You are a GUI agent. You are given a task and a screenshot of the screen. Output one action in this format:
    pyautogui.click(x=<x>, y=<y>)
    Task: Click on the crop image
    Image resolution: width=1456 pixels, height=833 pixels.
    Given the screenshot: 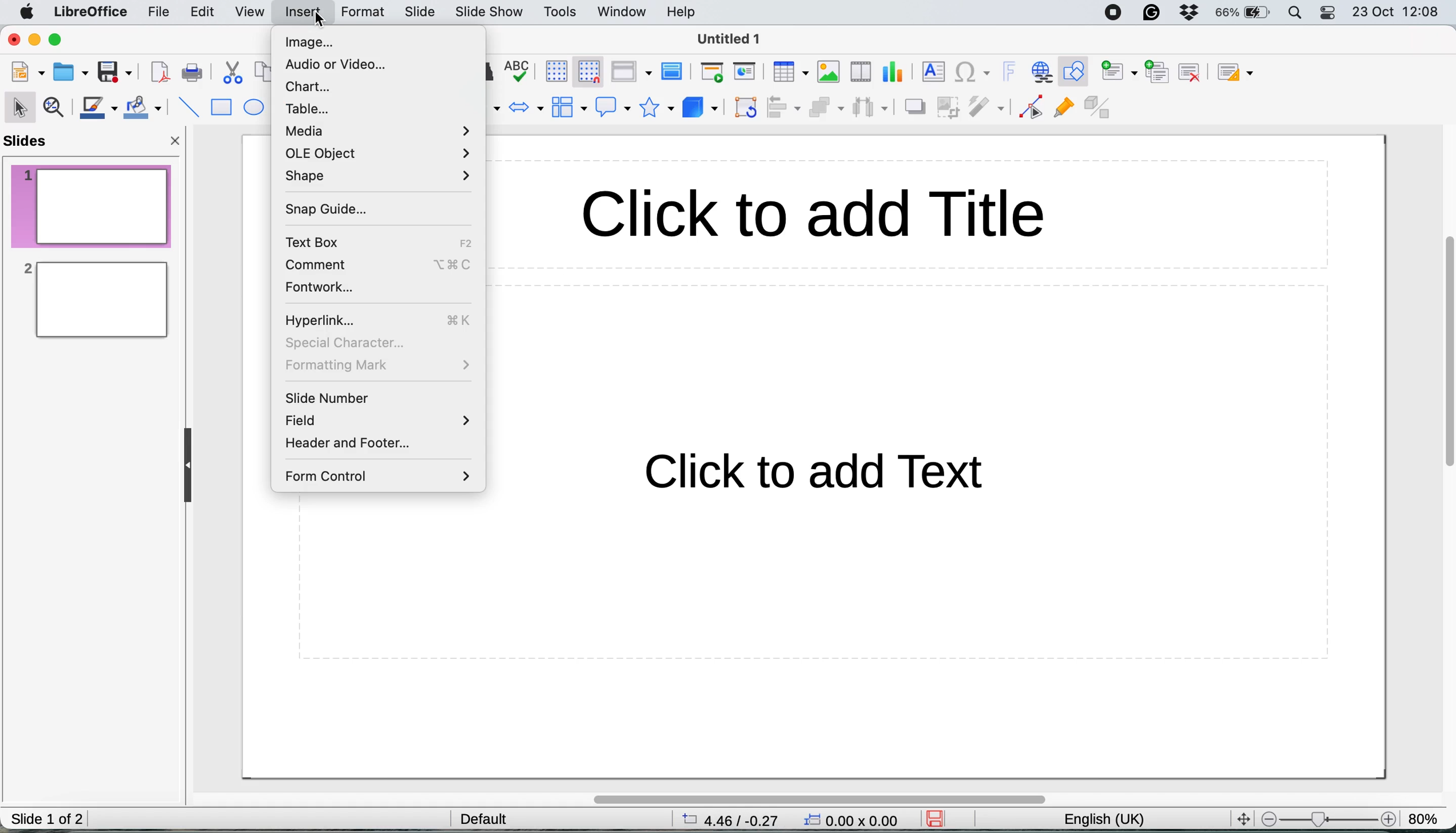 What is the action you would take?
    pyautogui.click(x=950, y=106)
    